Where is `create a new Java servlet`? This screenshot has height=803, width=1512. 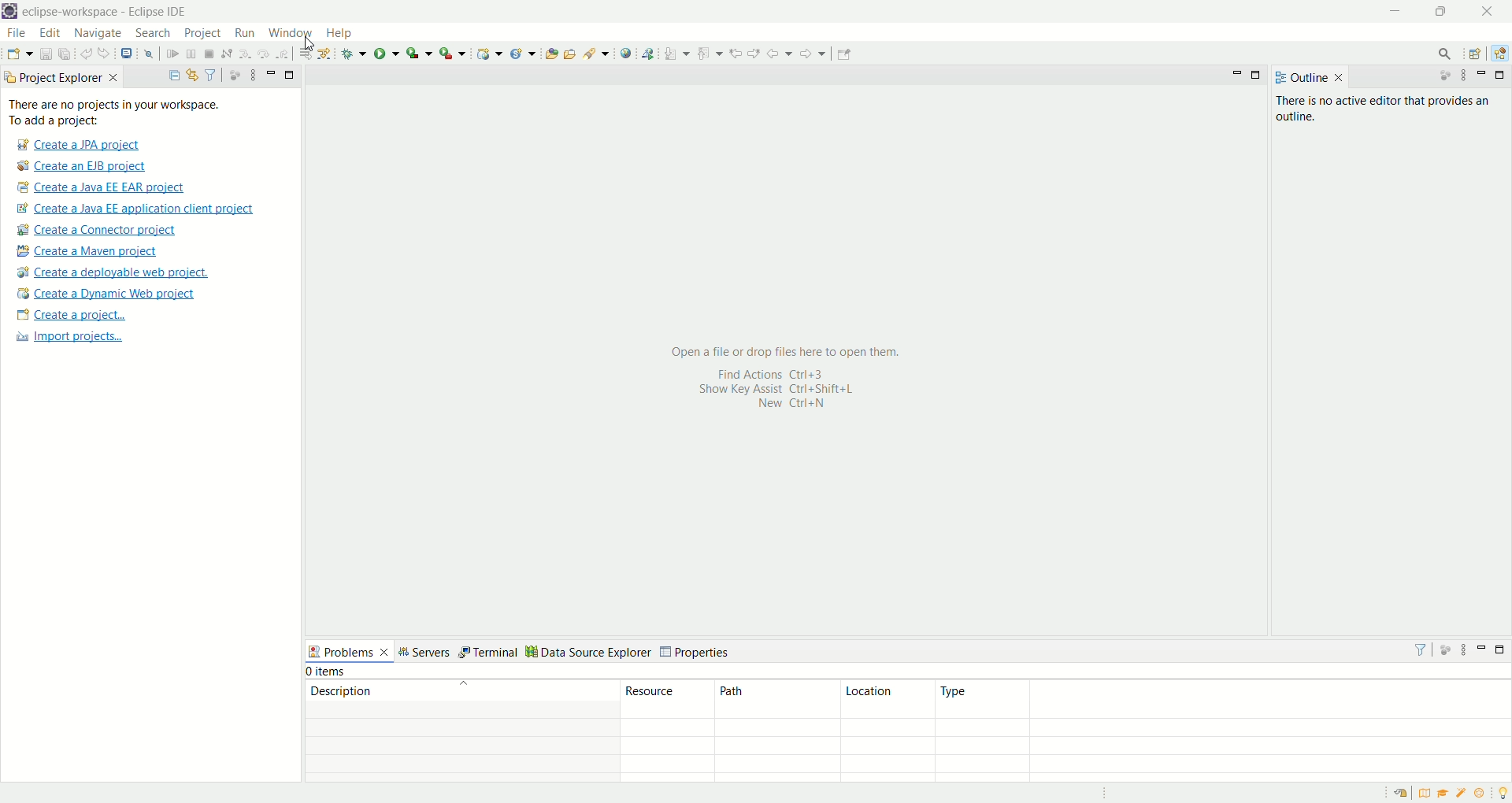 create a new Java servlet is located at coordinates (523, 53).